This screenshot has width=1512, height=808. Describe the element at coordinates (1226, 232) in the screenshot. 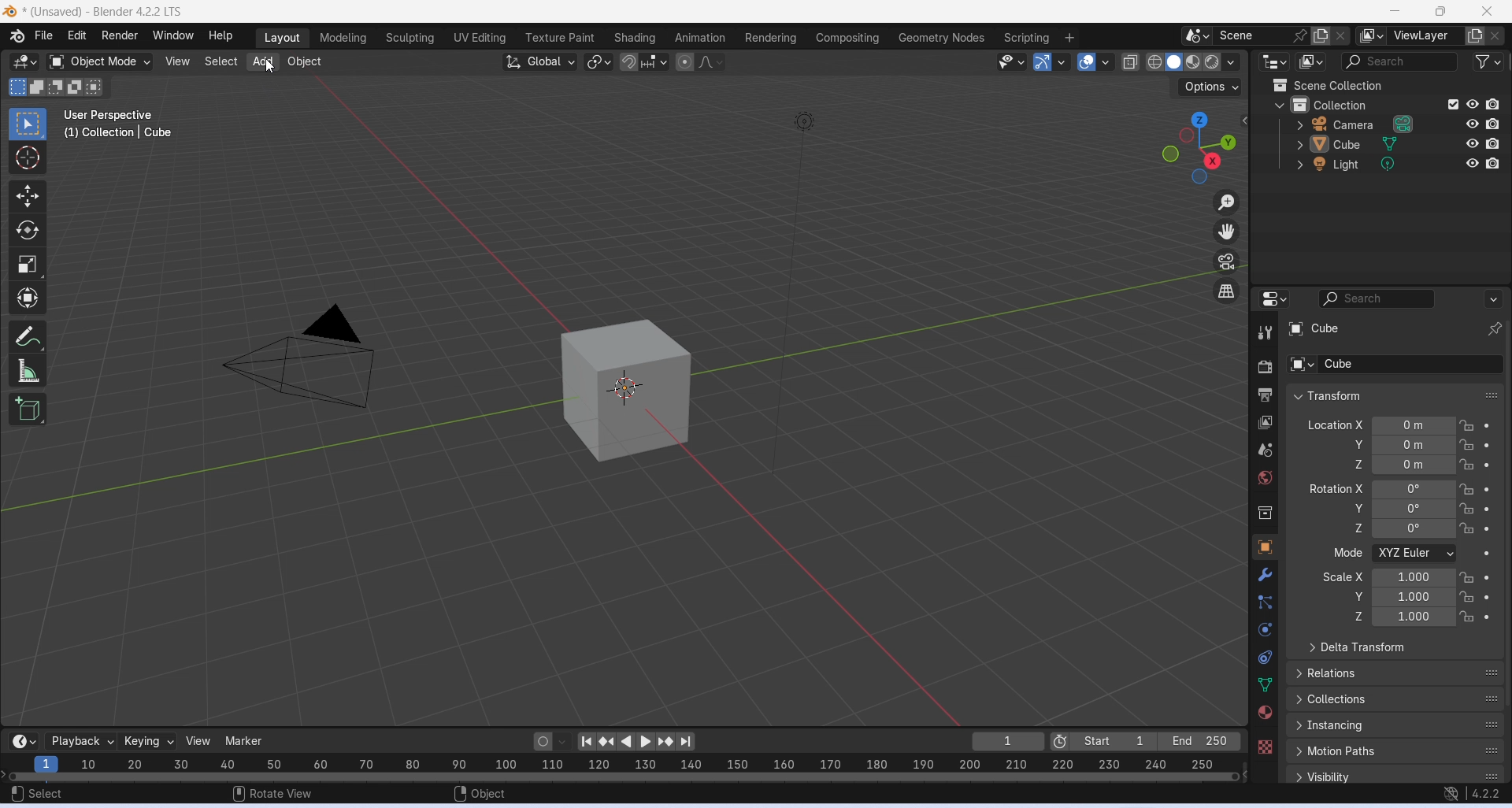

I see `Move the view` at that location.